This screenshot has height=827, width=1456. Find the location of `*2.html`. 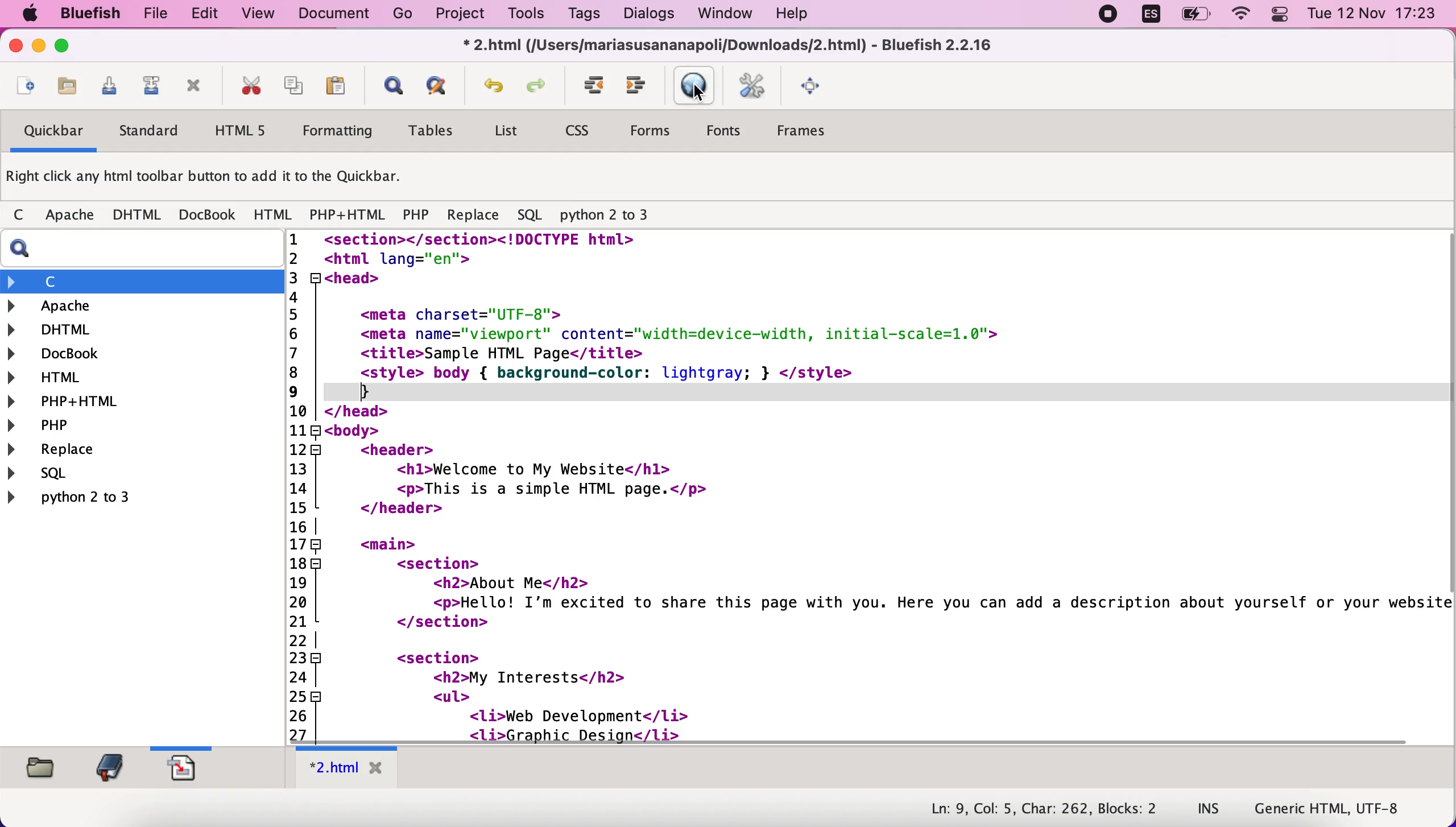

*2.html is located at coordinates (349, 767).